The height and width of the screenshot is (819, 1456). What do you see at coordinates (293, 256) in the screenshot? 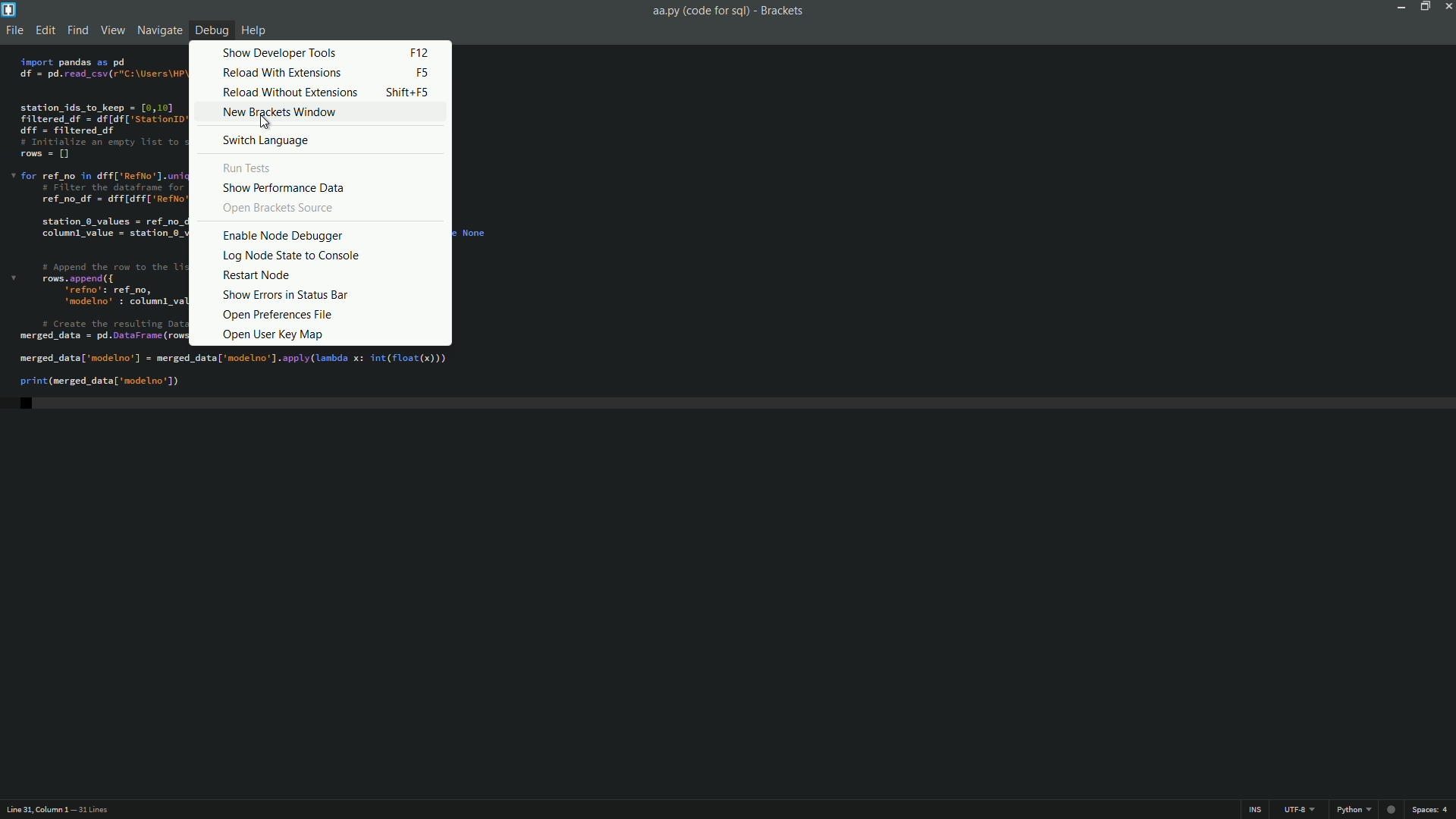
I see `log node state to console` at bounding box center [293, 256].